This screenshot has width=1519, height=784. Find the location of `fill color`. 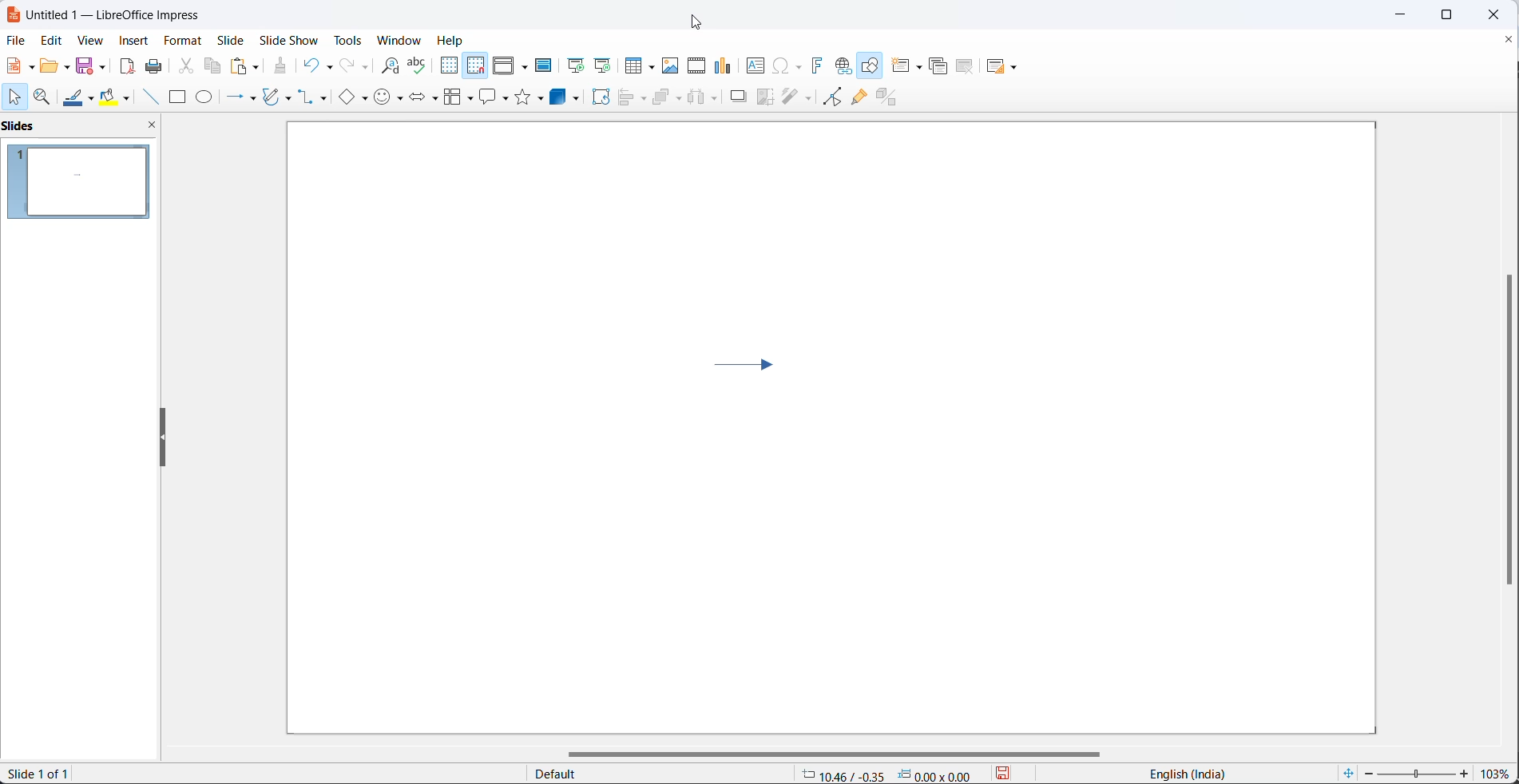

fill color is located at coordinates (117, 97).